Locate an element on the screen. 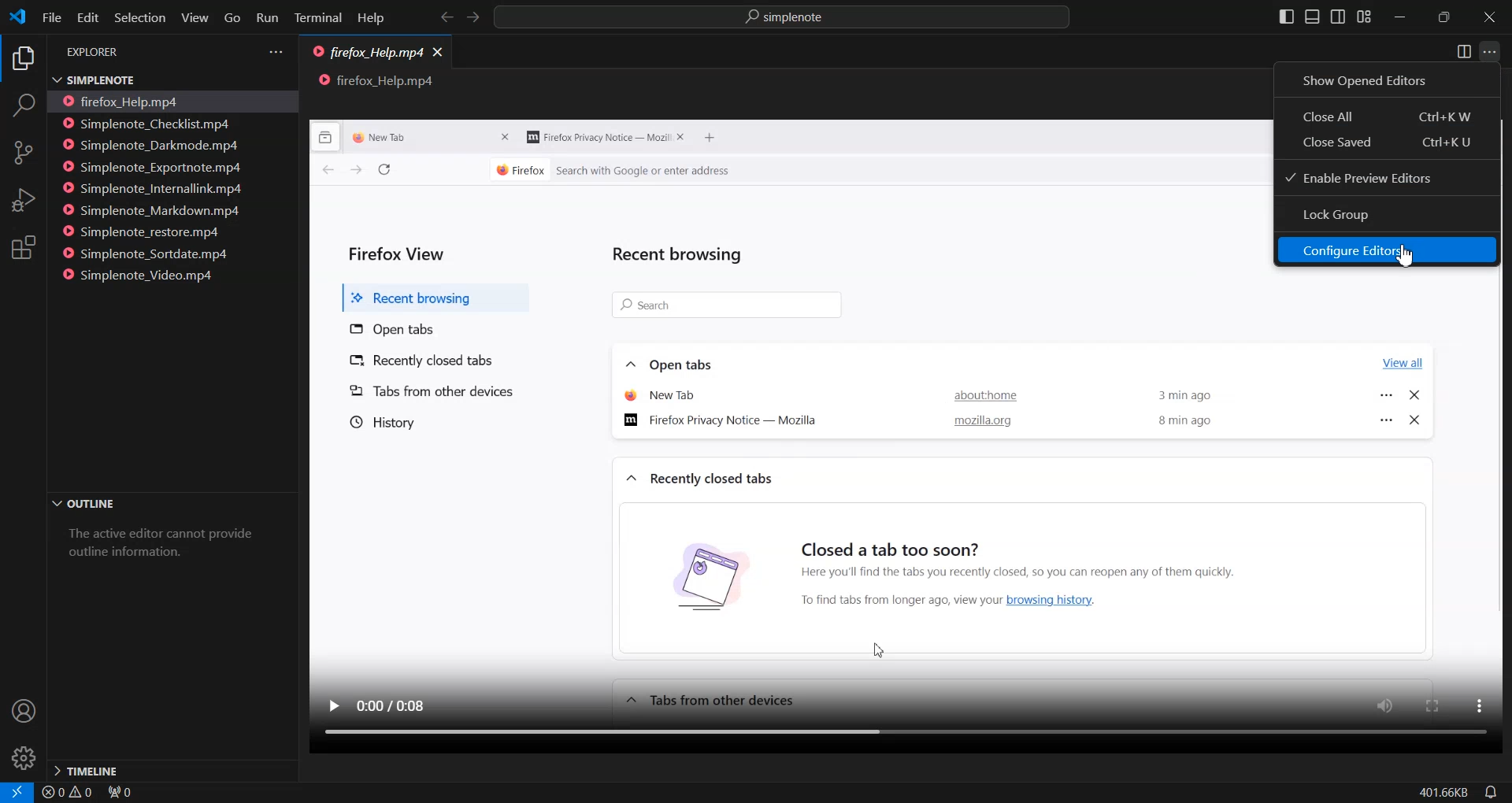  history is located at coordinates (380, 422).